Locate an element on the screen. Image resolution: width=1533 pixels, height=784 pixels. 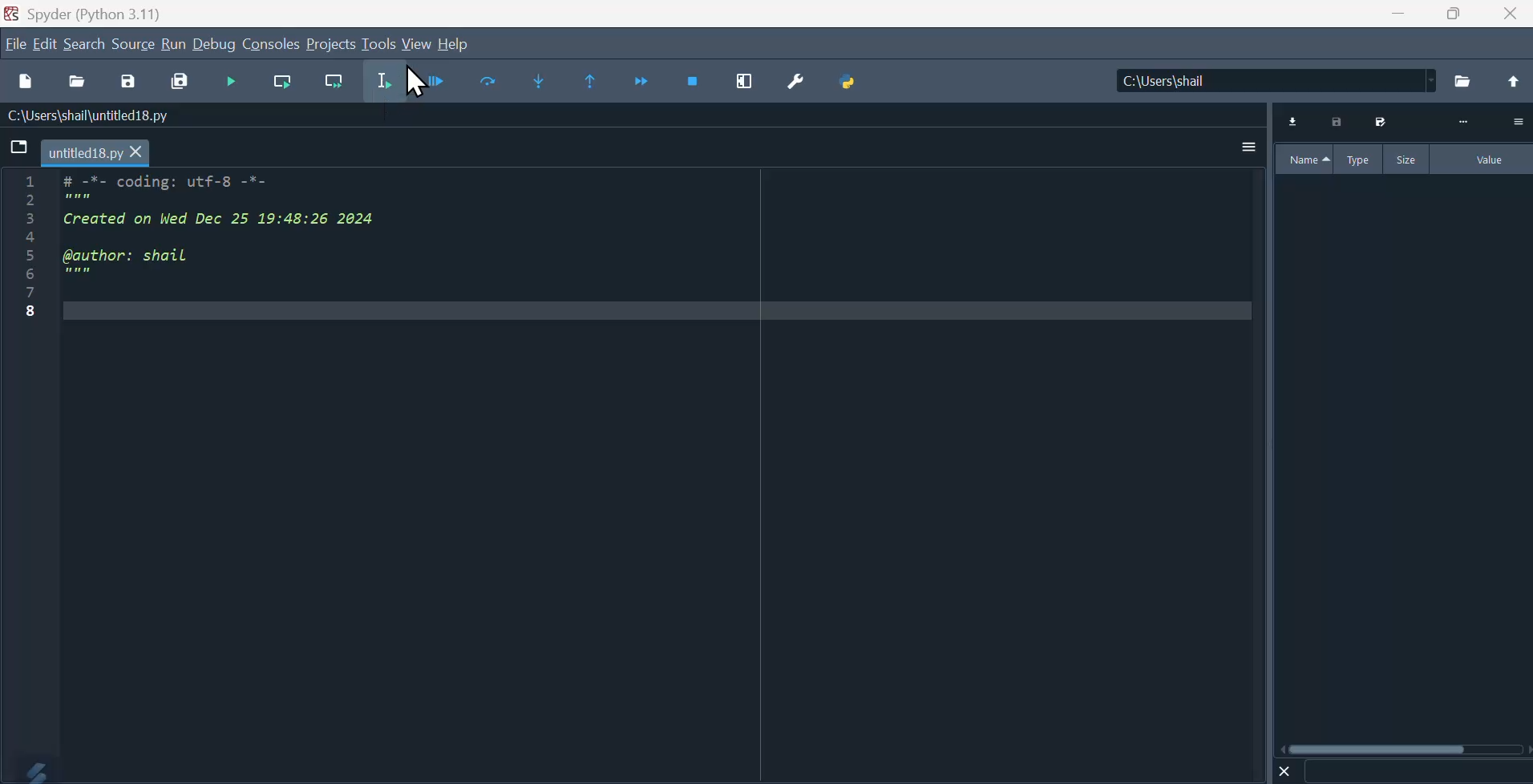
Help is located at coordinates (455, 44).